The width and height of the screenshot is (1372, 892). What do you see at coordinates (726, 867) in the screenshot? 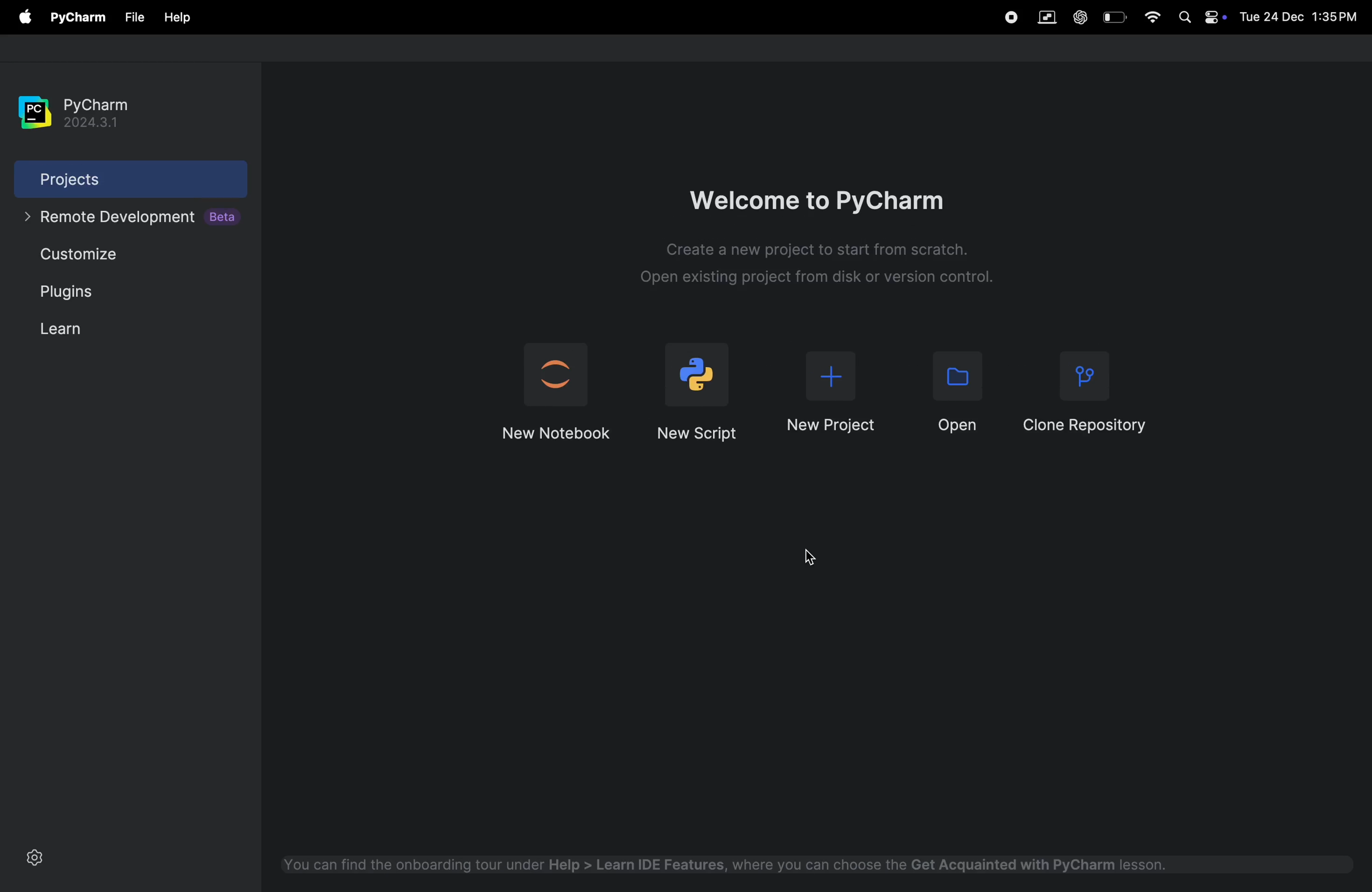
I see `onboard tool help` at bounding box center [726, 867].